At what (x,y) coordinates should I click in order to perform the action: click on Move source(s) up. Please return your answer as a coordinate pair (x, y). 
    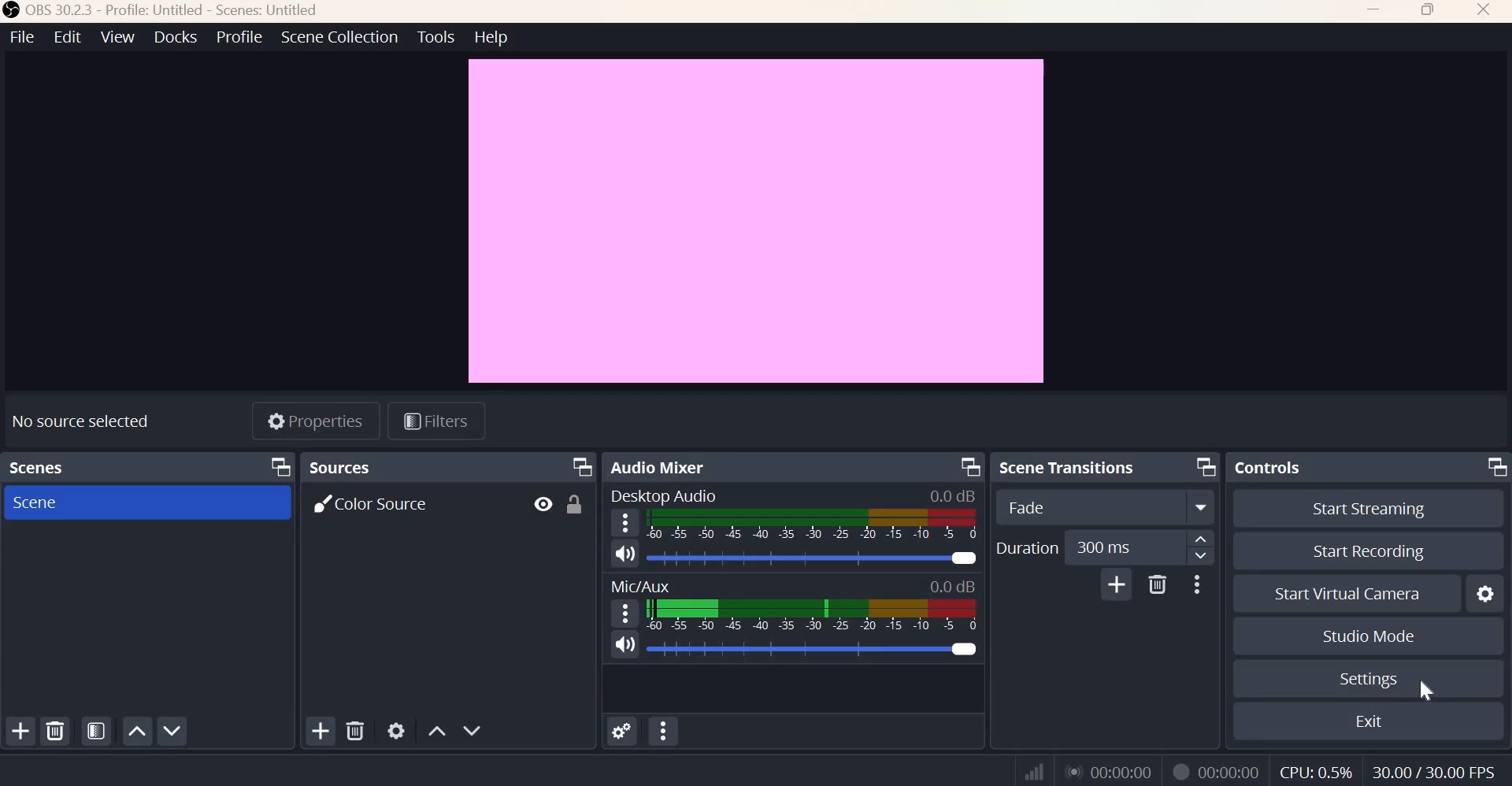
    Looking at the image, I should click on (435, 730).